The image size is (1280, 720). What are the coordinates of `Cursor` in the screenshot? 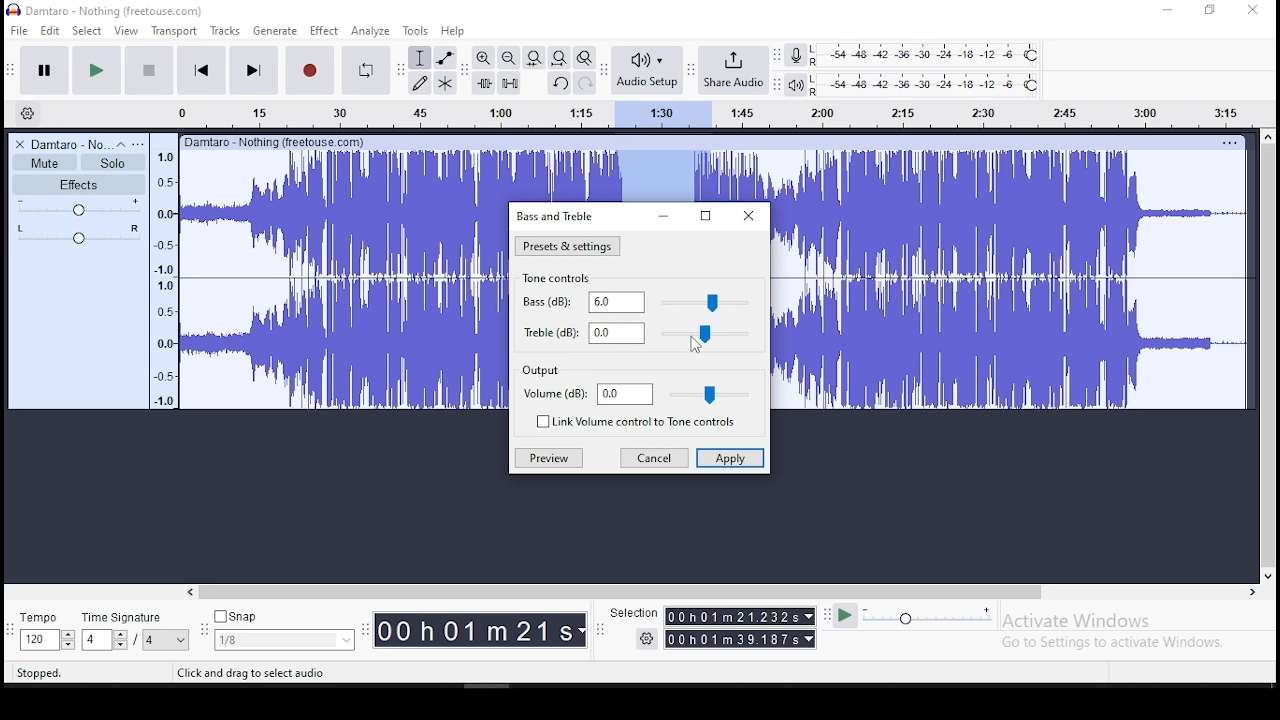 It's located at (692, 345).